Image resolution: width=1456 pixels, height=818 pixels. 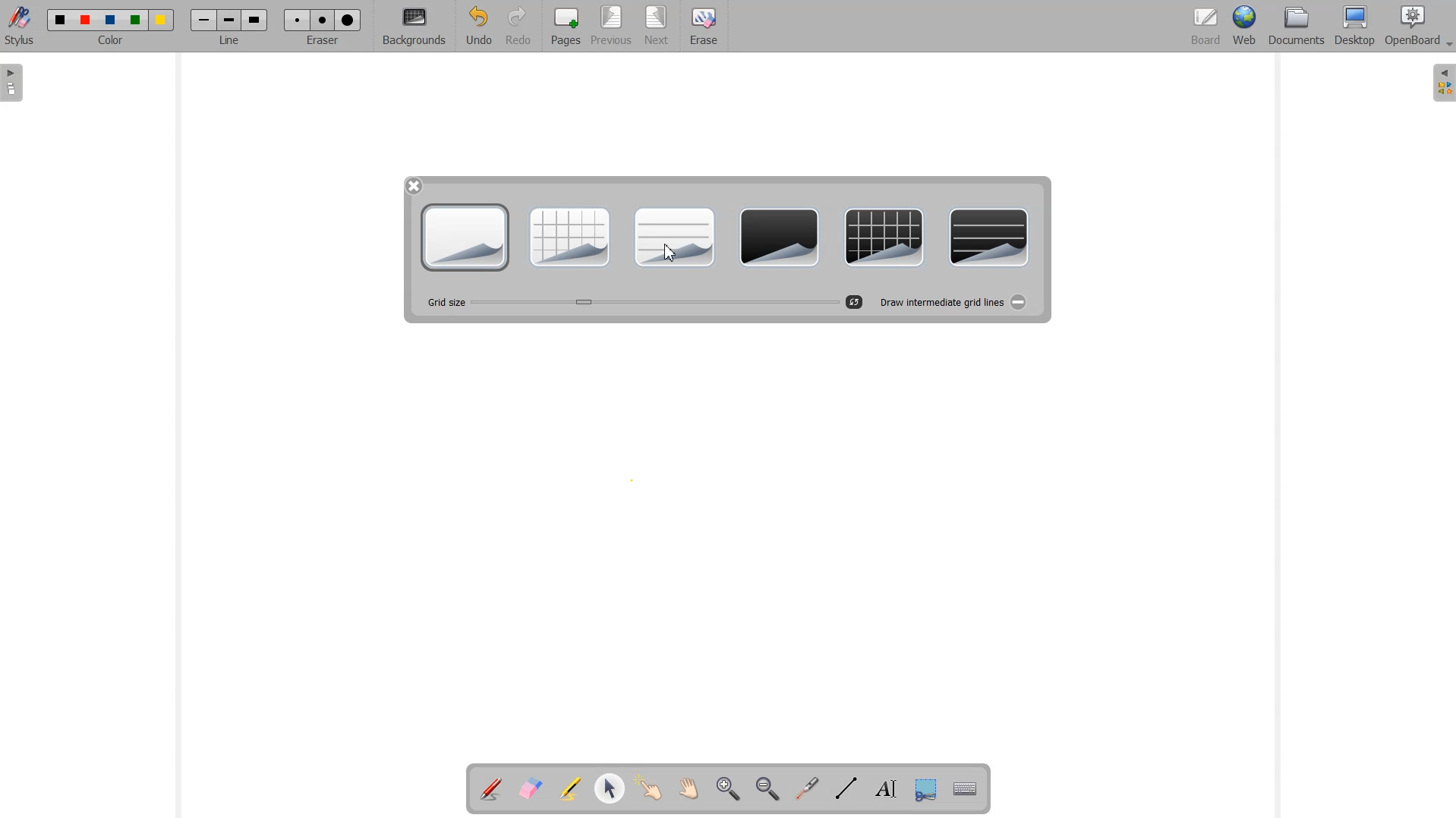 I want to click on Erase Annotation, so click(x=532, y=790).